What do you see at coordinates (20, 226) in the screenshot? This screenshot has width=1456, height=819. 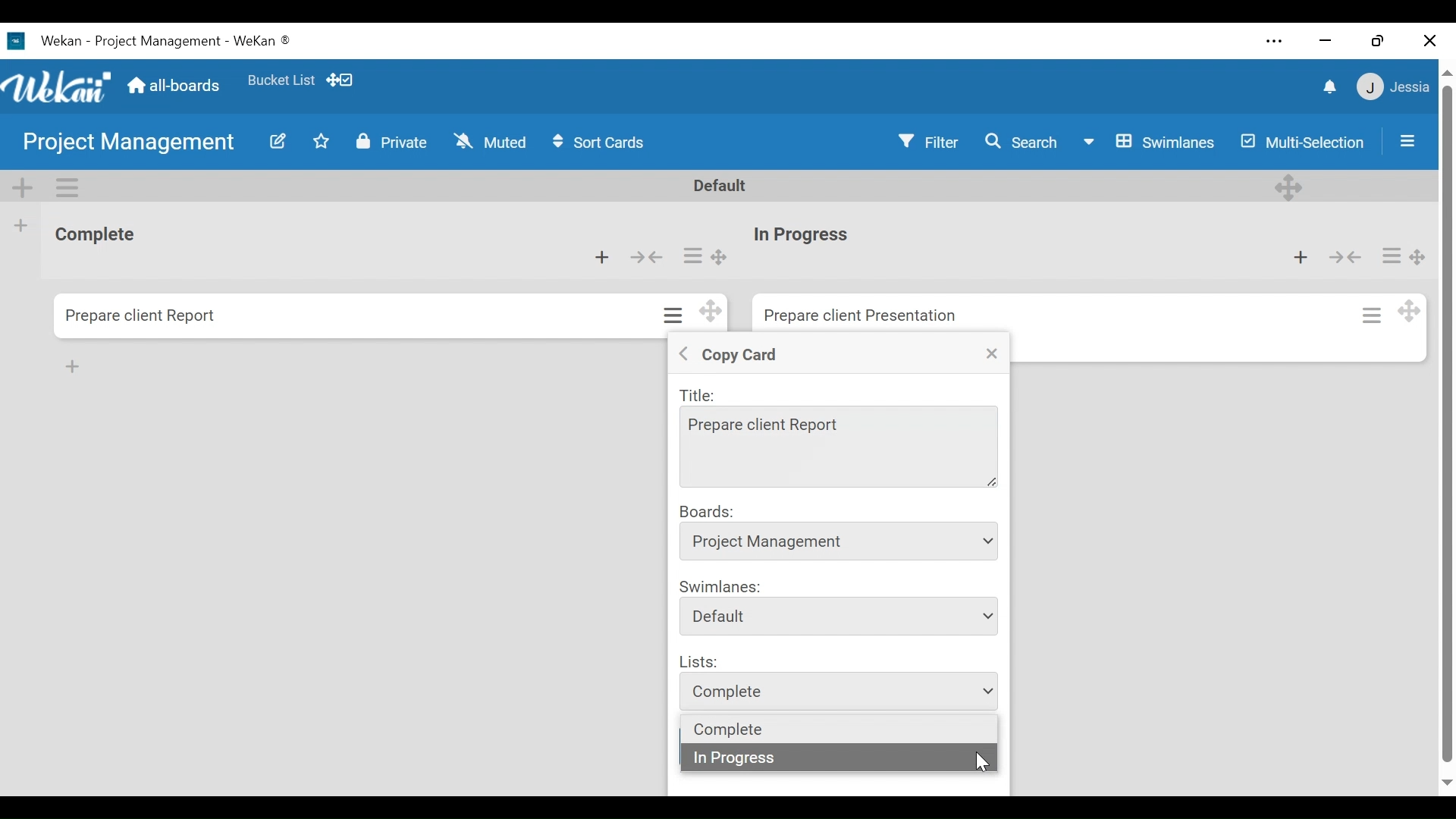 I see `Add  list` at bounding box center [20, 226].